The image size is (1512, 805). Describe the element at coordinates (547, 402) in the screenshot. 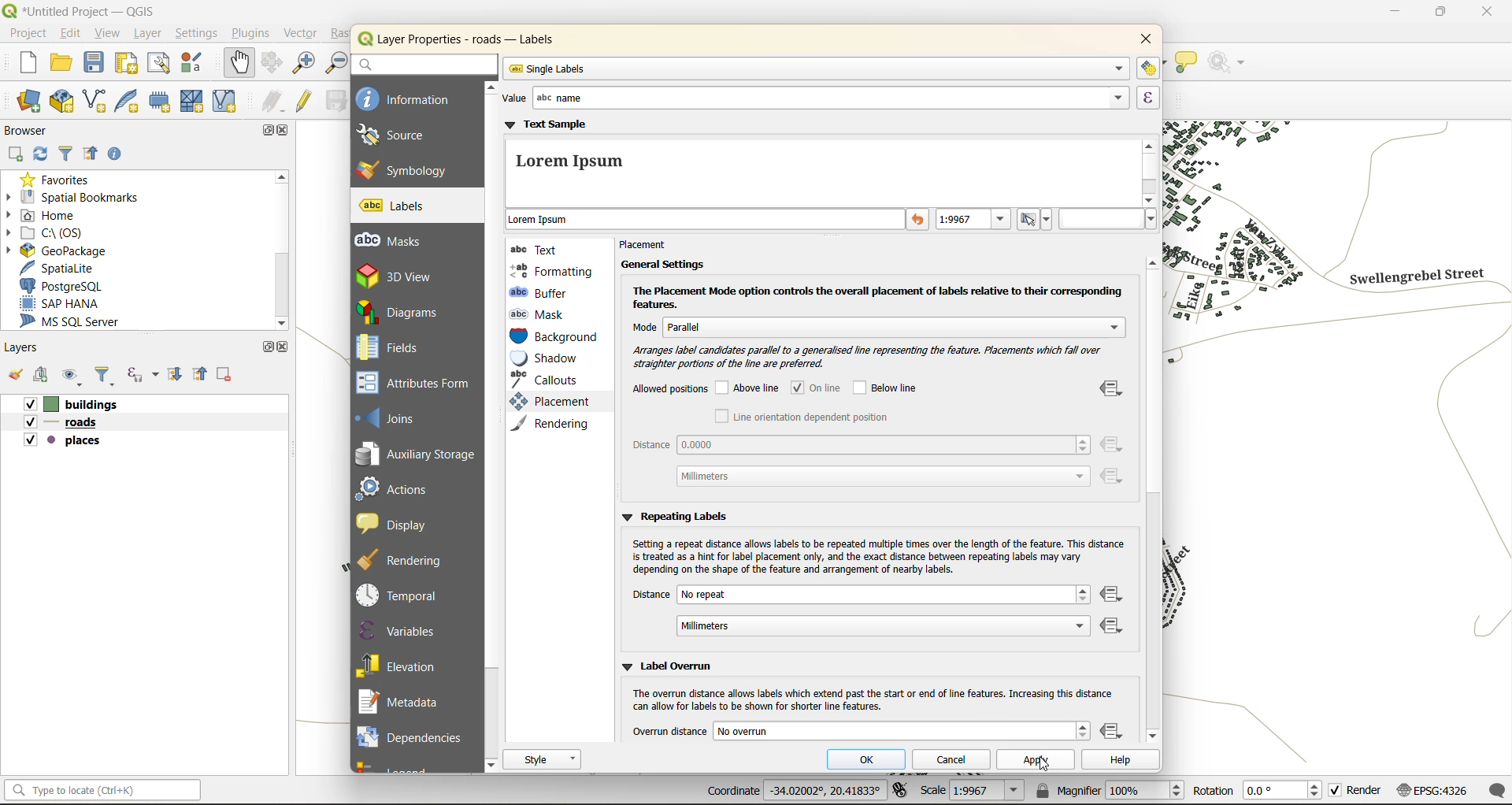

I see `placement` at that location.